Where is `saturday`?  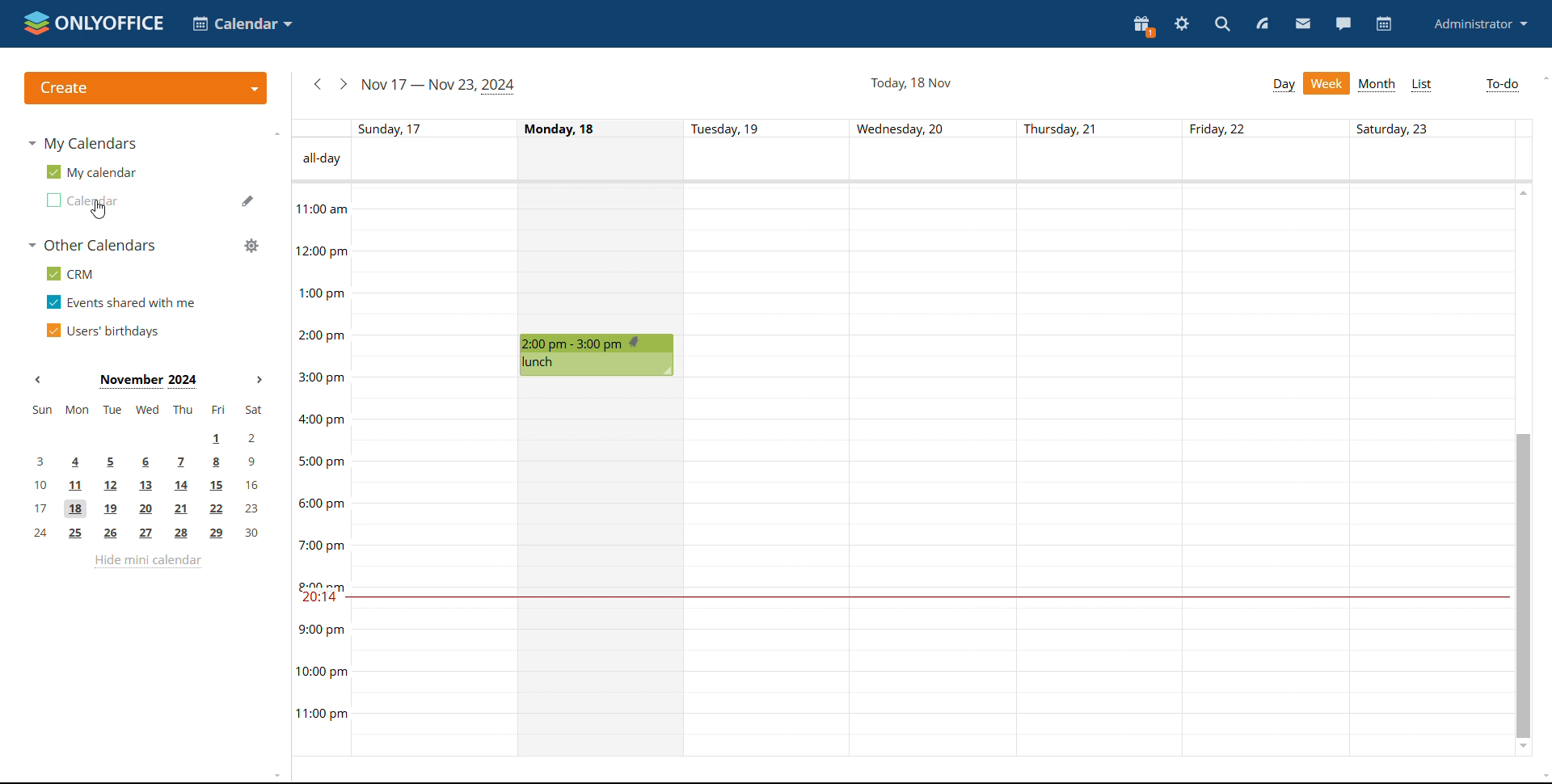
saturday is located at coordinates (1430, 471).